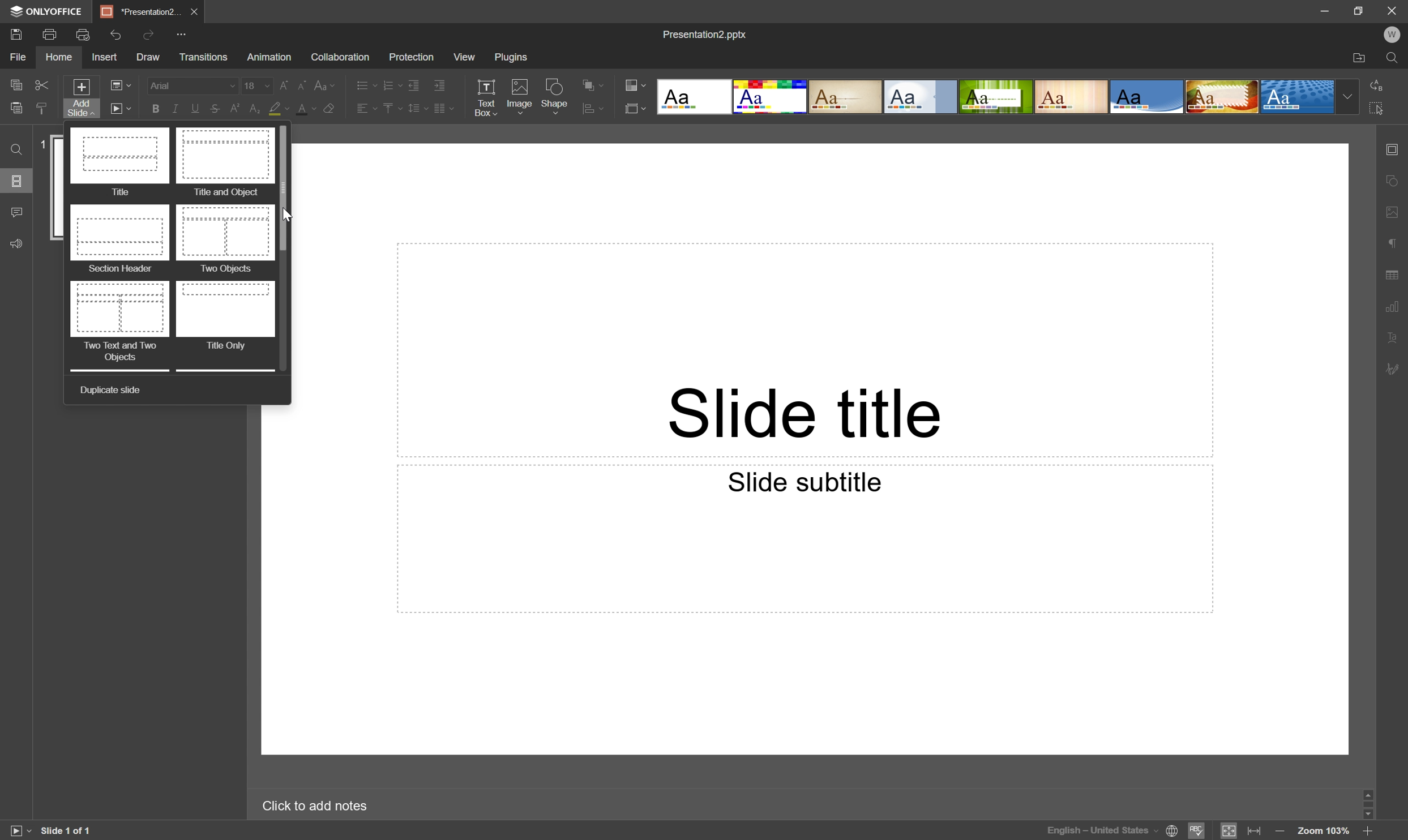 This screenshot has width=1408, height=840. I want to click on Plugins, so click(512, 57).